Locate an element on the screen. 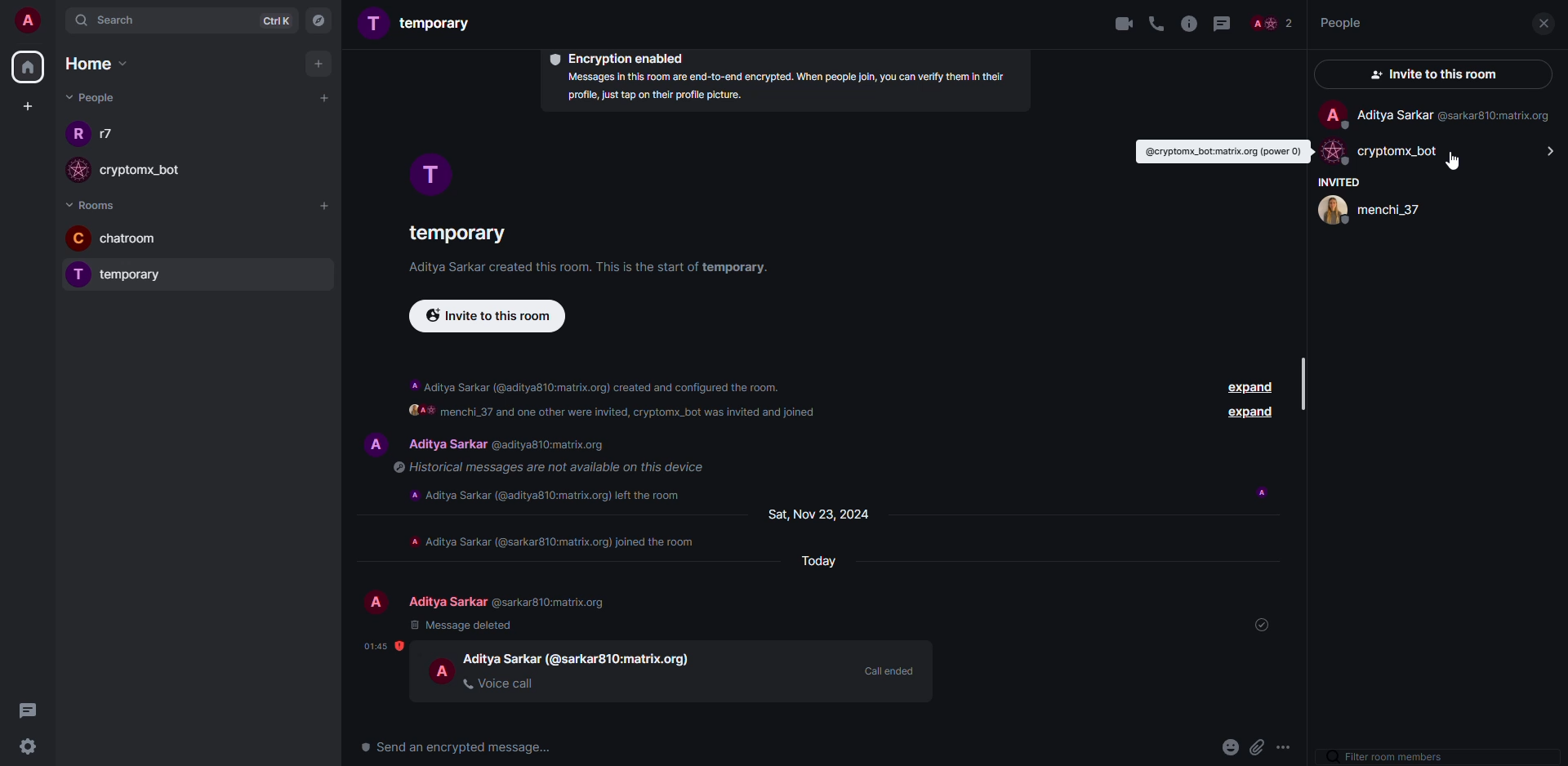 This screenshot has height=766, width=1568. people is located at coordinates (1374, 211).